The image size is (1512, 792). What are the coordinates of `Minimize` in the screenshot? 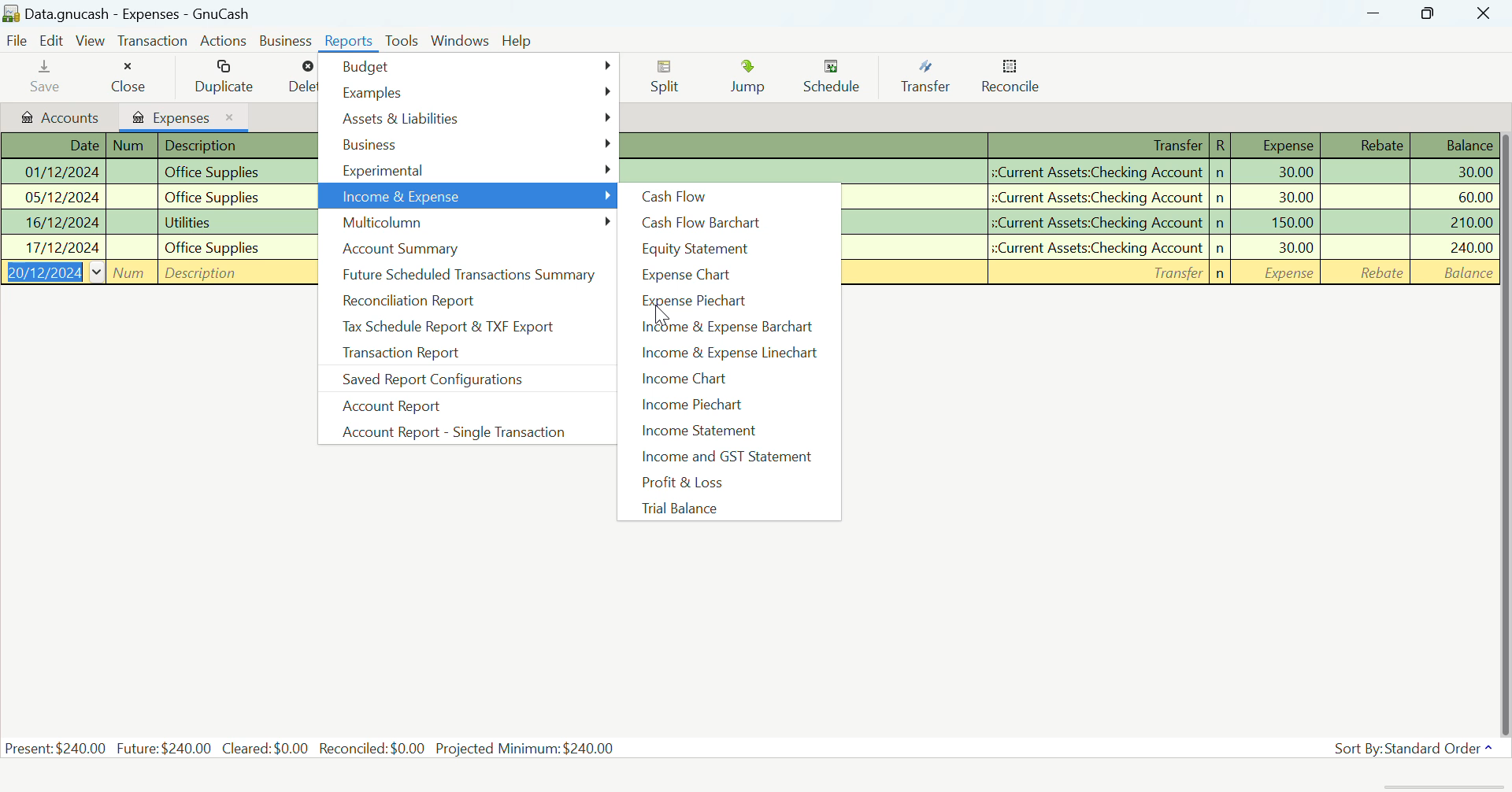 It's located at (1427, 13).